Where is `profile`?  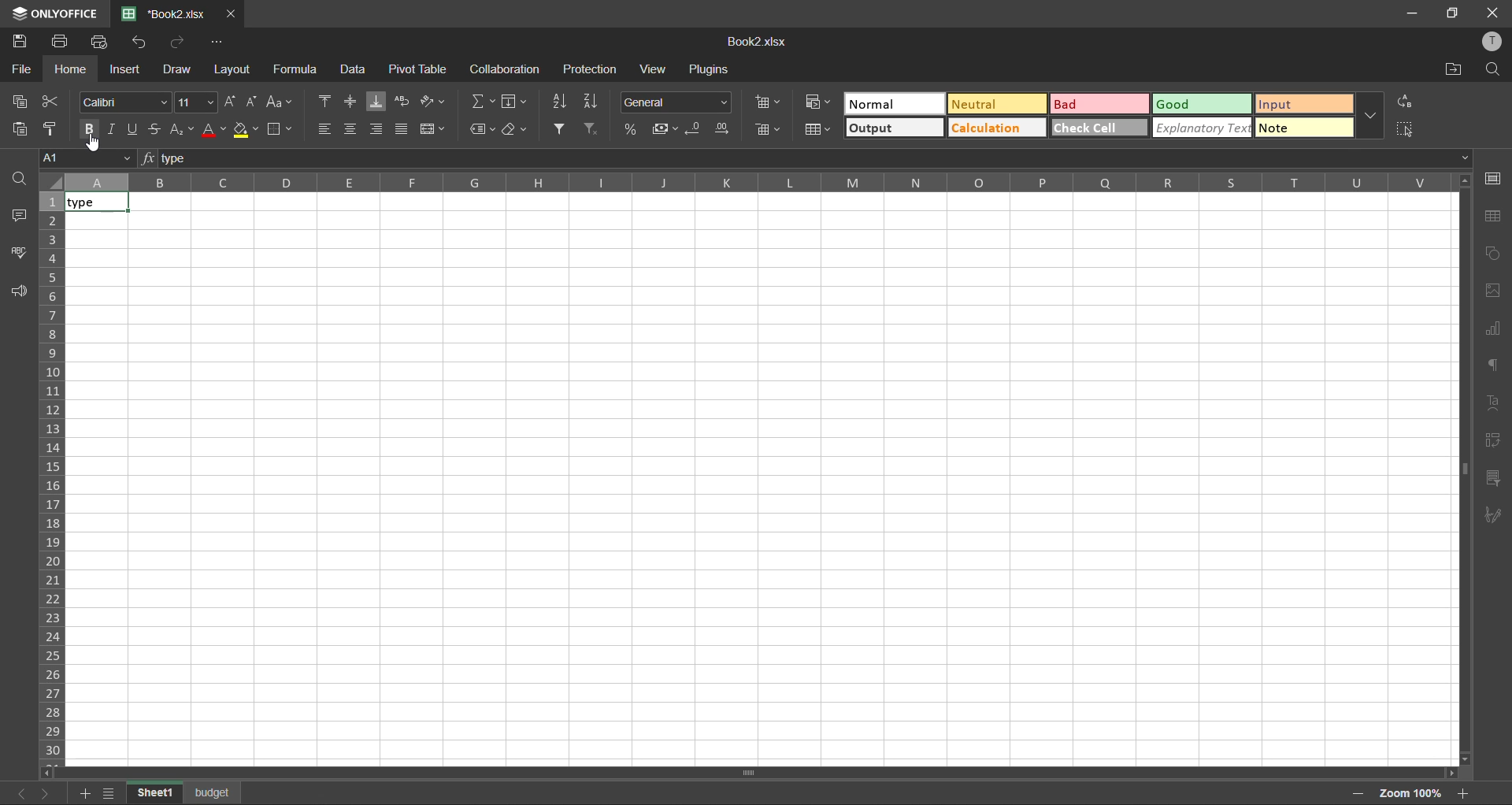 profile is located at coordinates (1497, 42).